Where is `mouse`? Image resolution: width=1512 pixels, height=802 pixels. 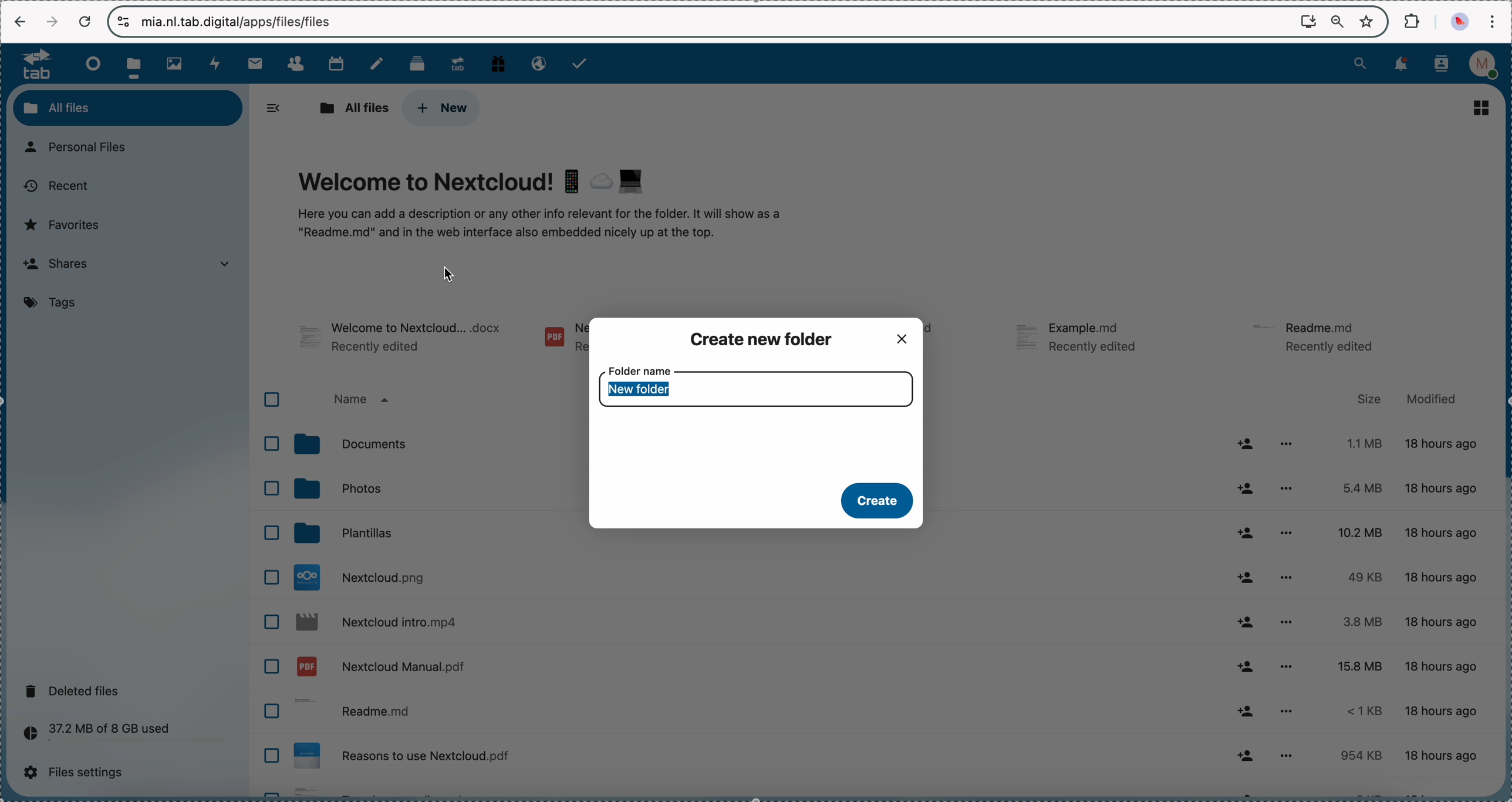
mouse is located at coordinates (450, 273).